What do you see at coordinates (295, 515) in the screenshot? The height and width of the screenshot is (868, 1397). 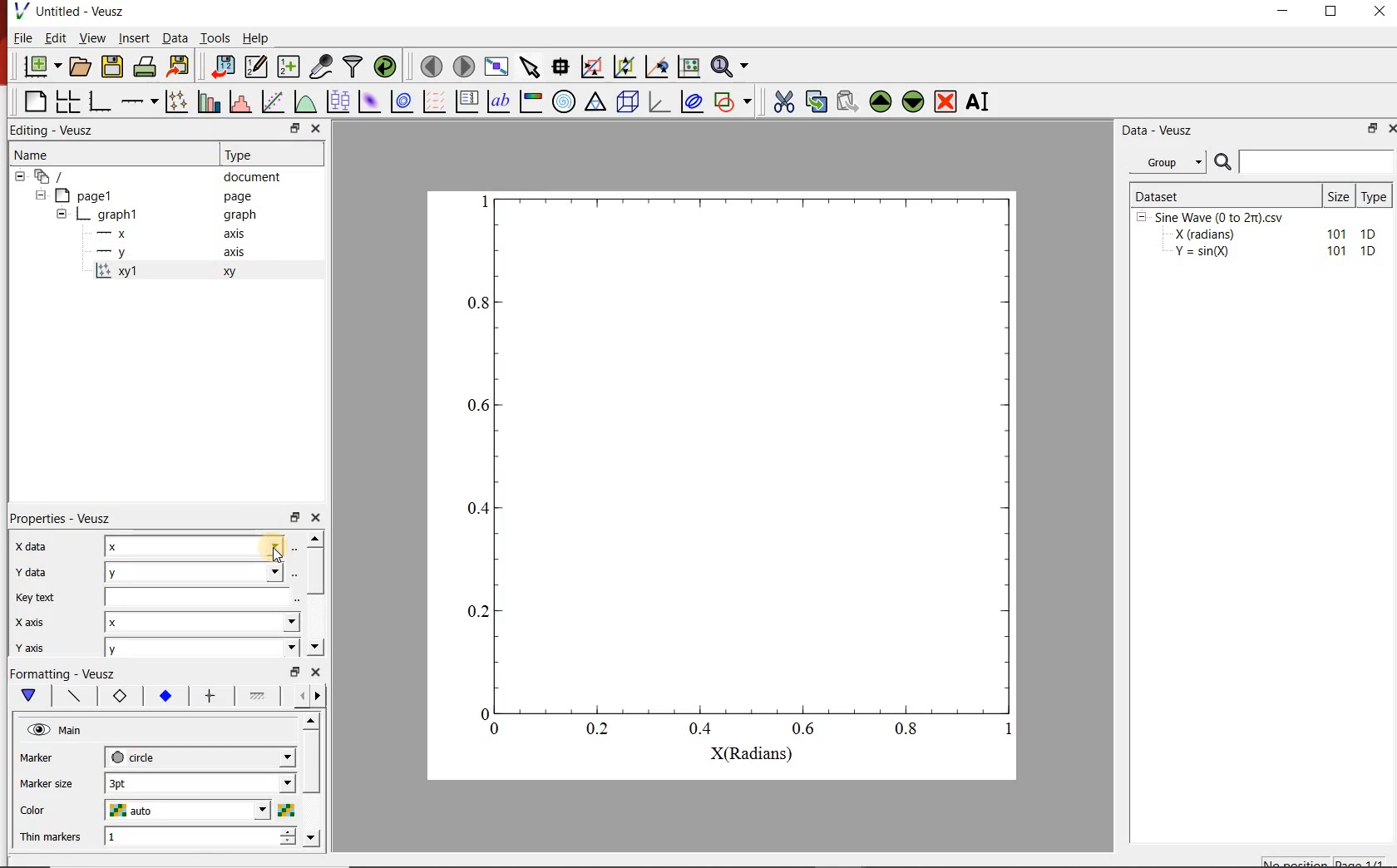 I see `Min/Max` at bounding box center [295, 515].